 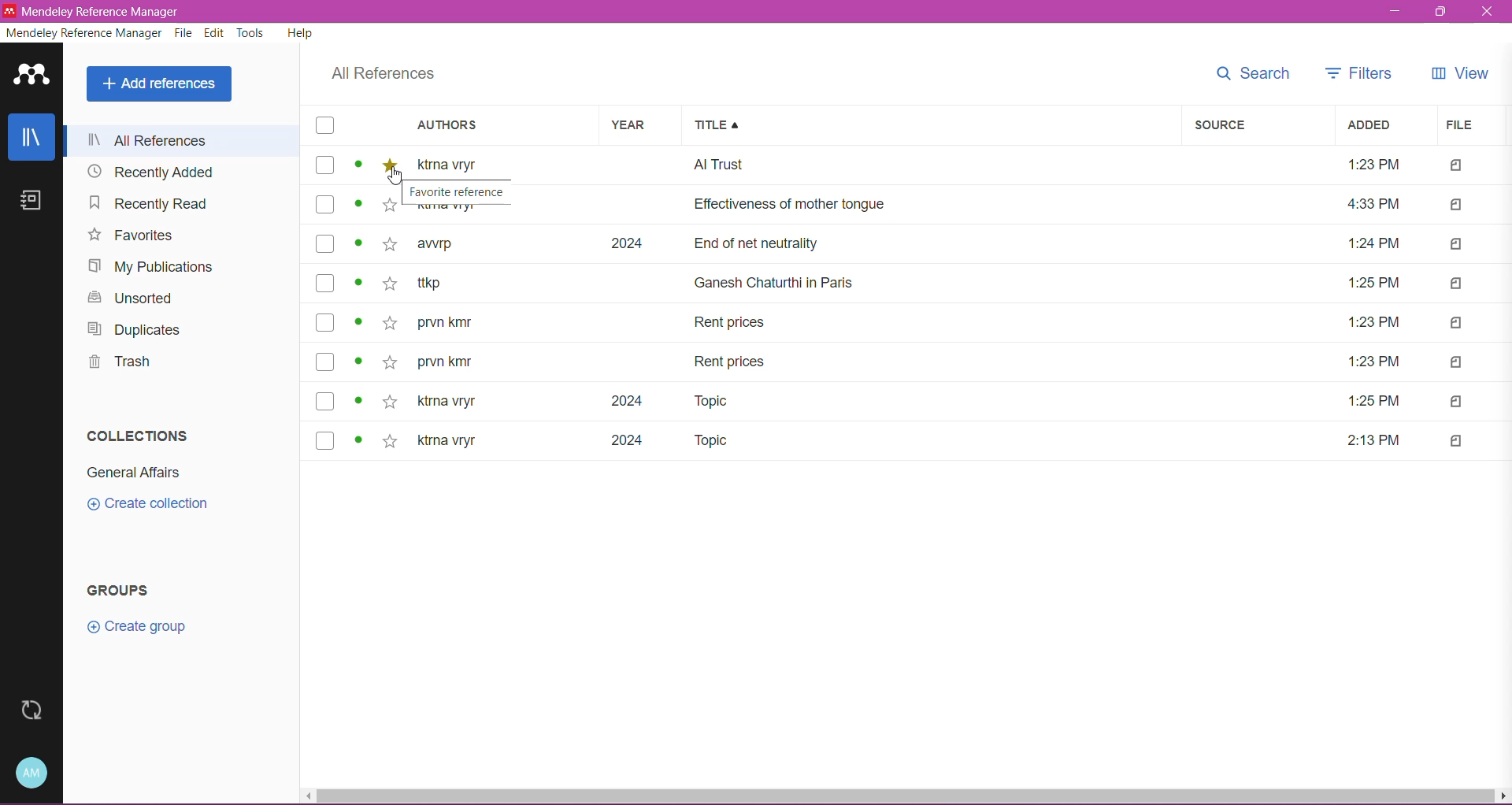 What do you see at coordinates (358, 282) in the screenshot?
I see `Click to see more details` at bounding box center [358, 282].